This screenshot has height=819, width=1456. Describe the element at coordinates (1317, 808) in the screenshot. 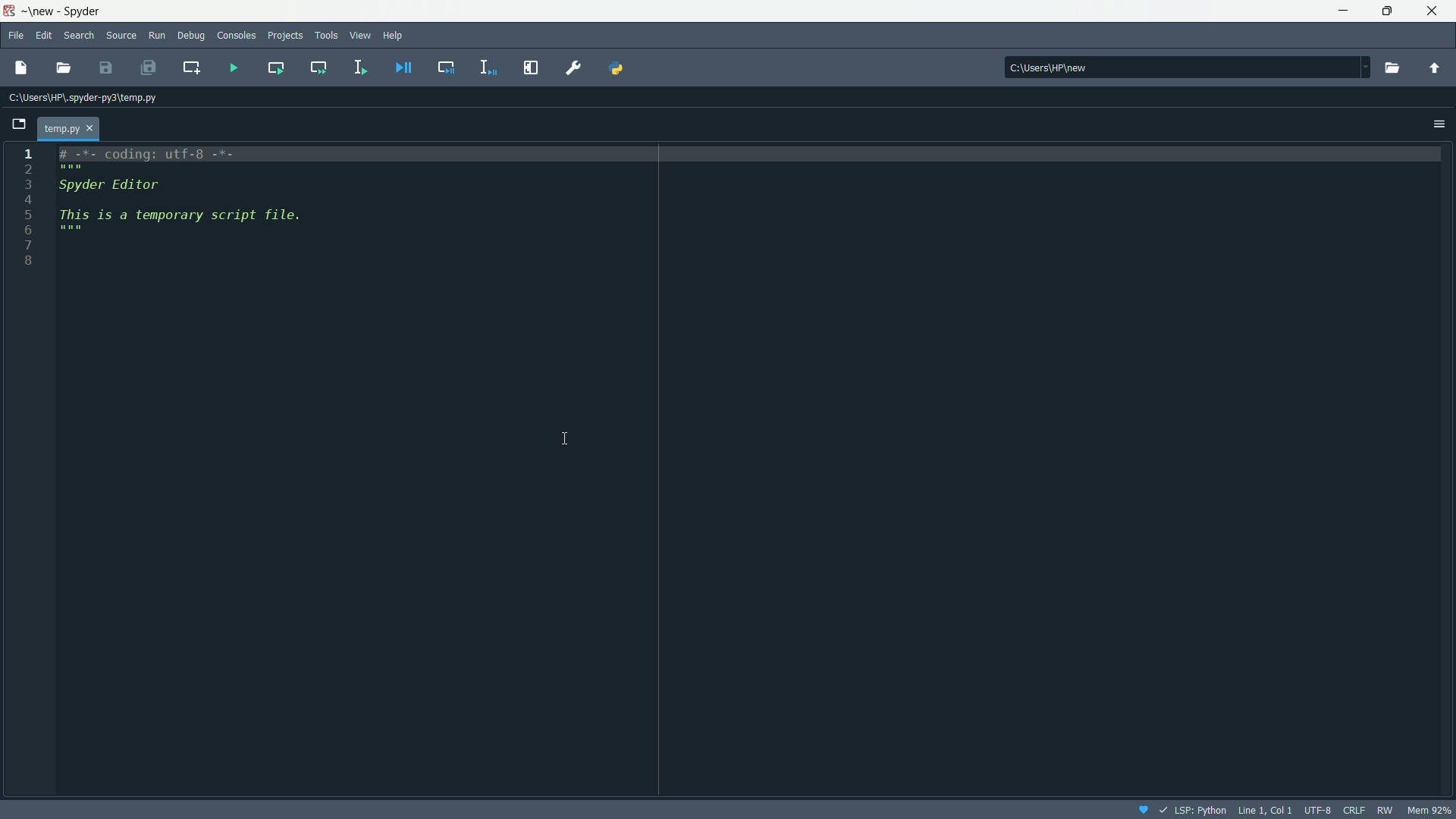

I see `file encoding` at that location.